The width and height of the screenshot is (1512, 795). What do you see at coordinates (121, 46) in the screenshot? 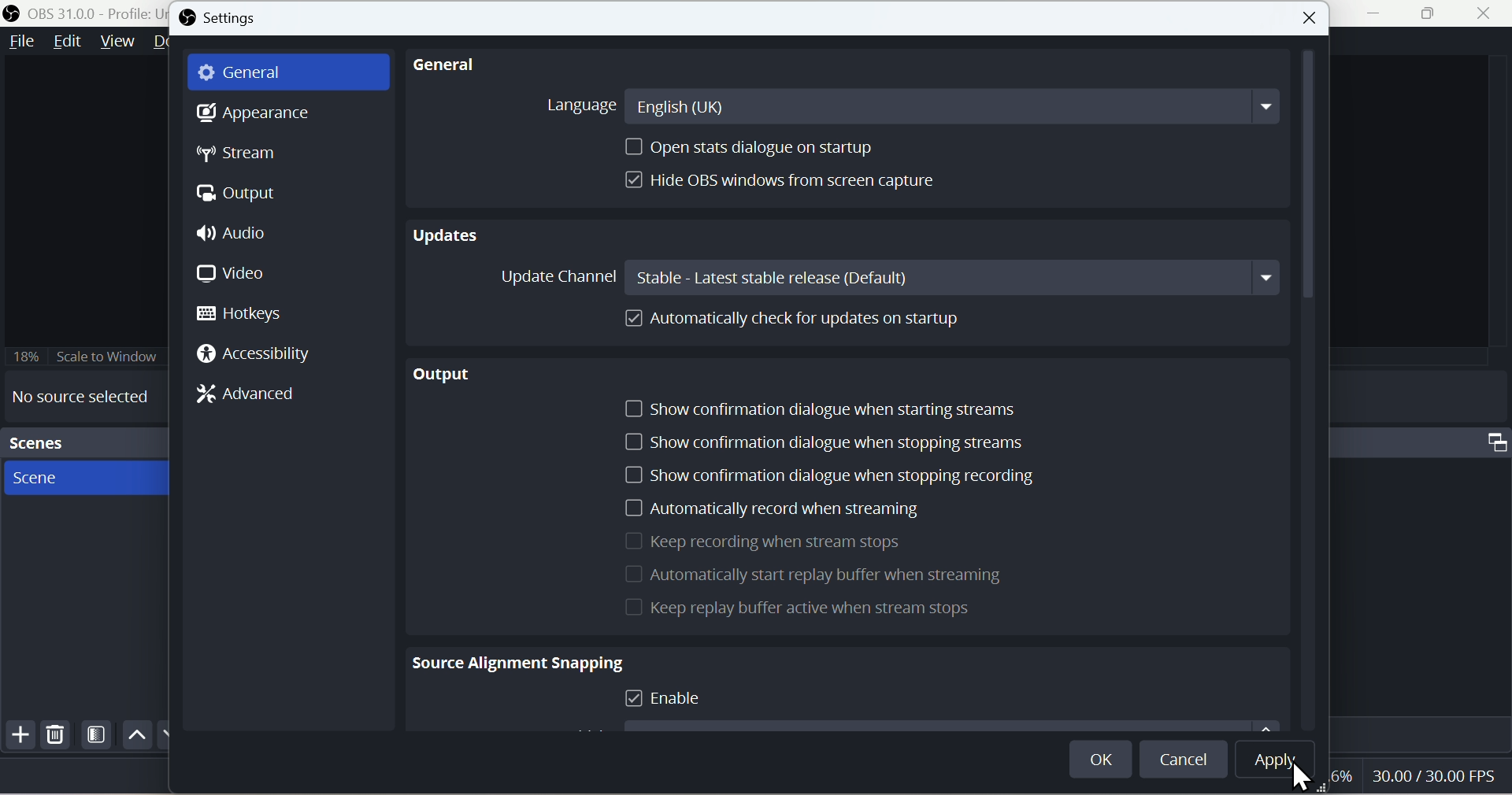
I see `` at bounding box center [121, 46].